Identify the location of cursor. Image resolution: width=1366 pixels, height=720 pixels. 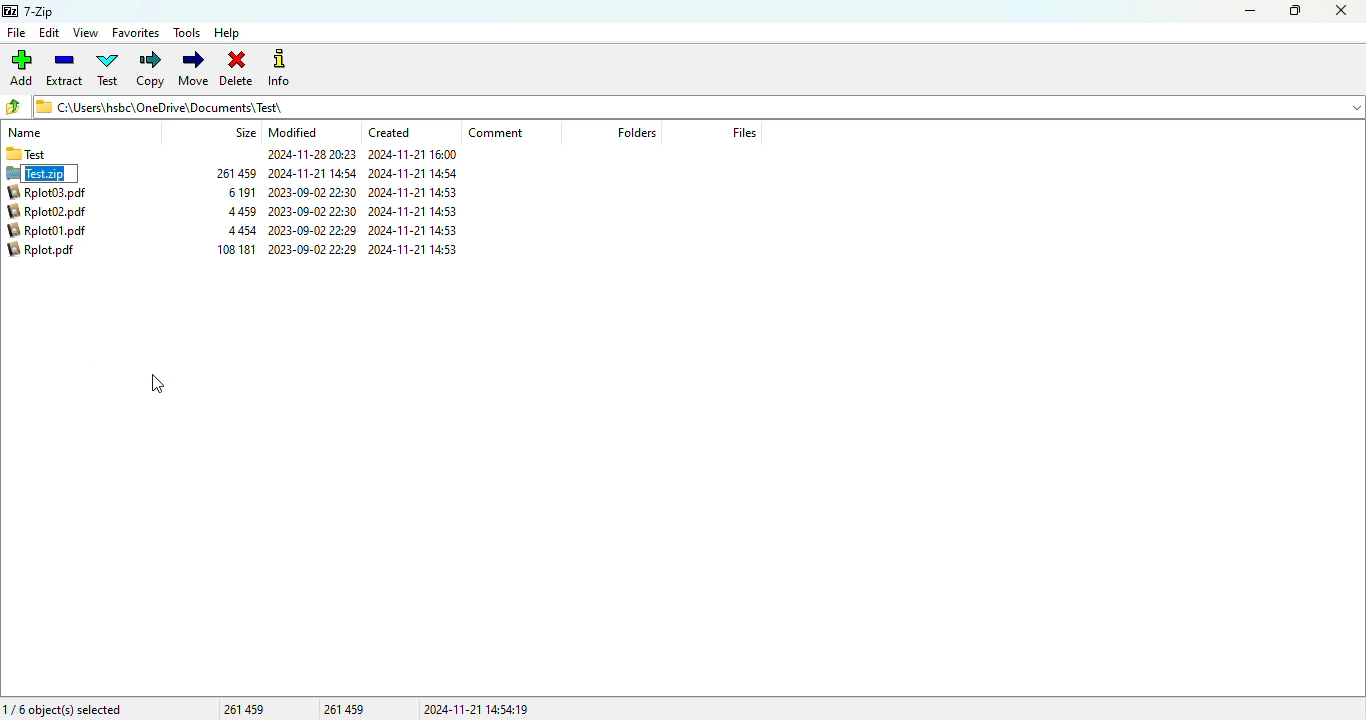
(158, 384).